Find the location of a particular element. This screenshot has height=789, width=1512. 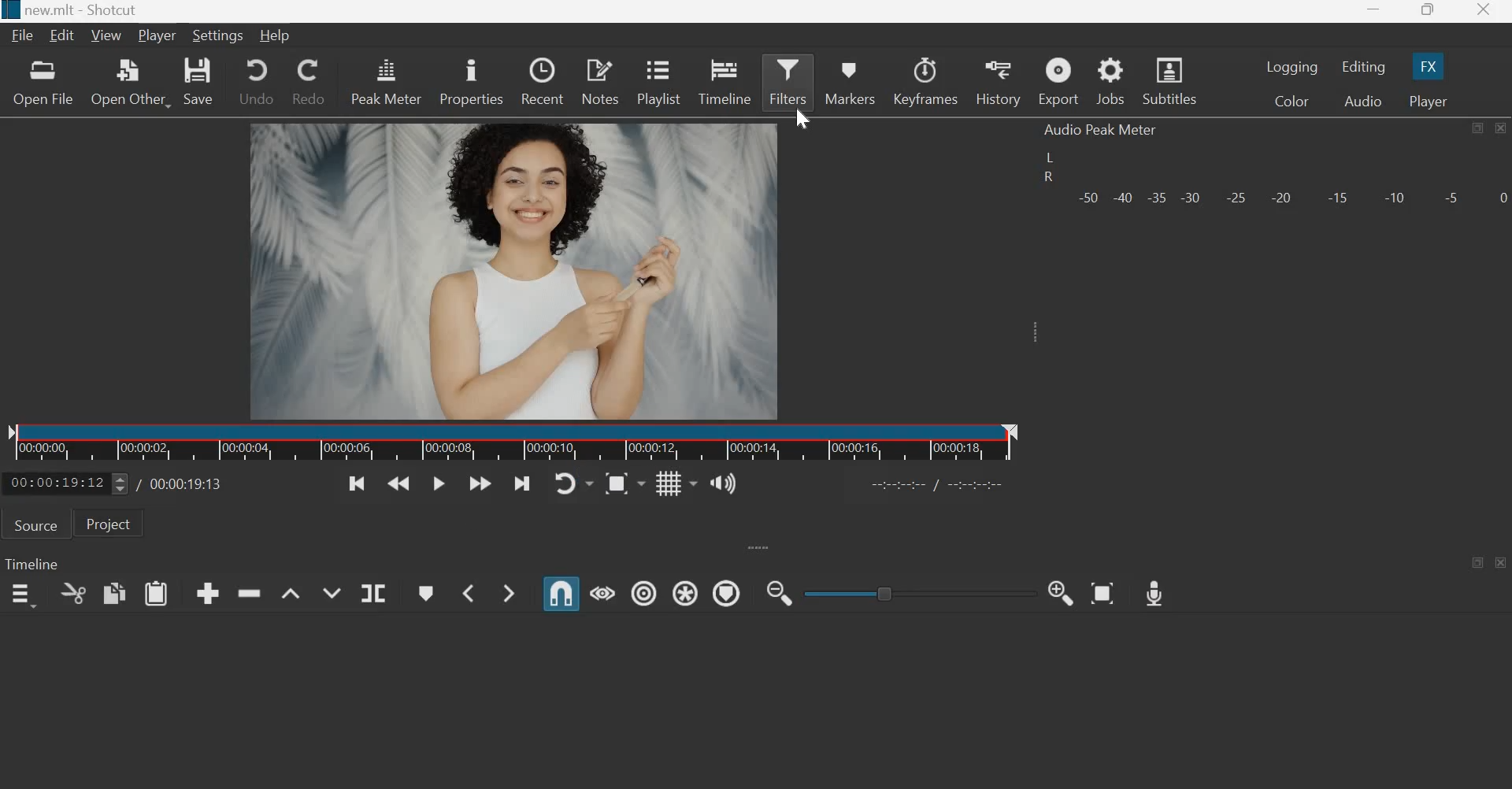

new.mlt - Shotcut is located at coordinates (89, 10).